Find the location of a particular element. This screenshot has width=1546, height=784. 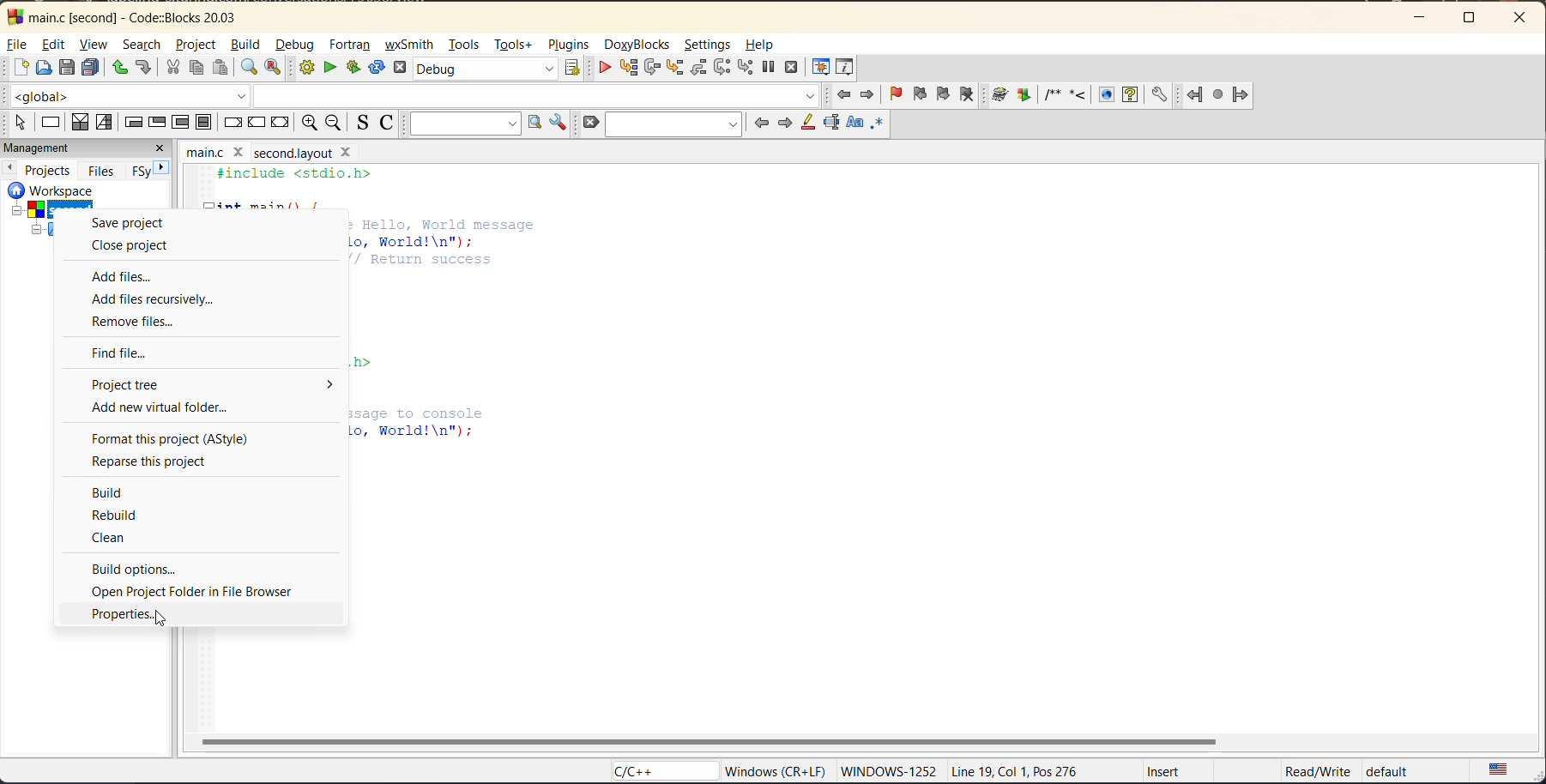

highlight is located at coordinates (808, 122).